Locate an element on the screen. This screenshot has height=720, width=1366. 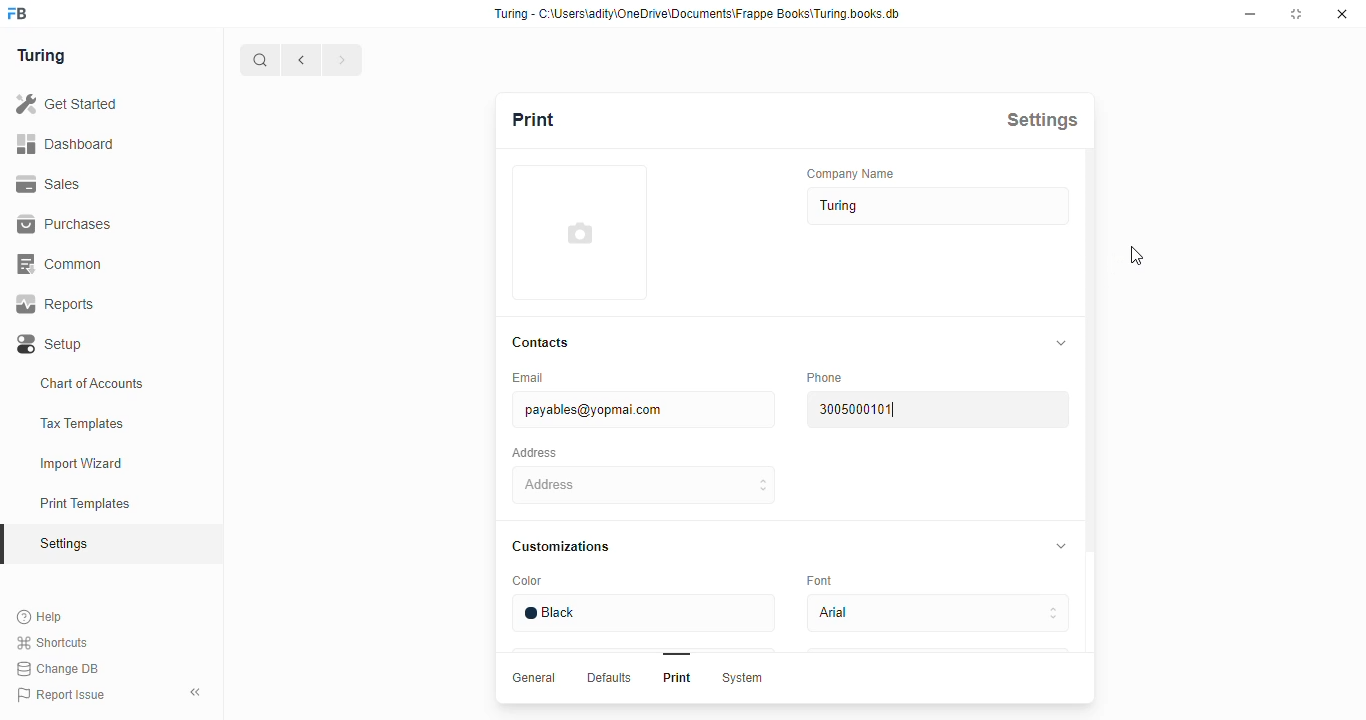
System is located at coordinates (746, 679).